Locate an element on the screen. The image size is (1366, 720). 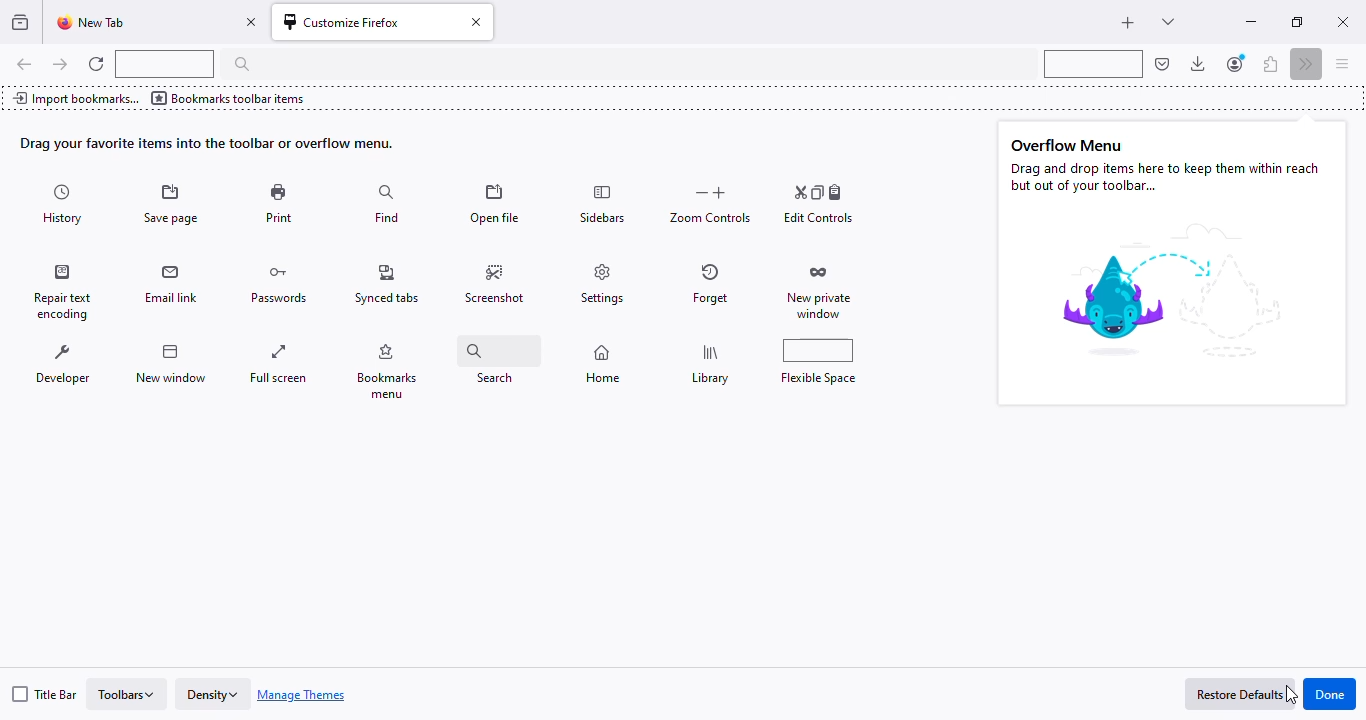
save page is located at coordinates (171, 205).